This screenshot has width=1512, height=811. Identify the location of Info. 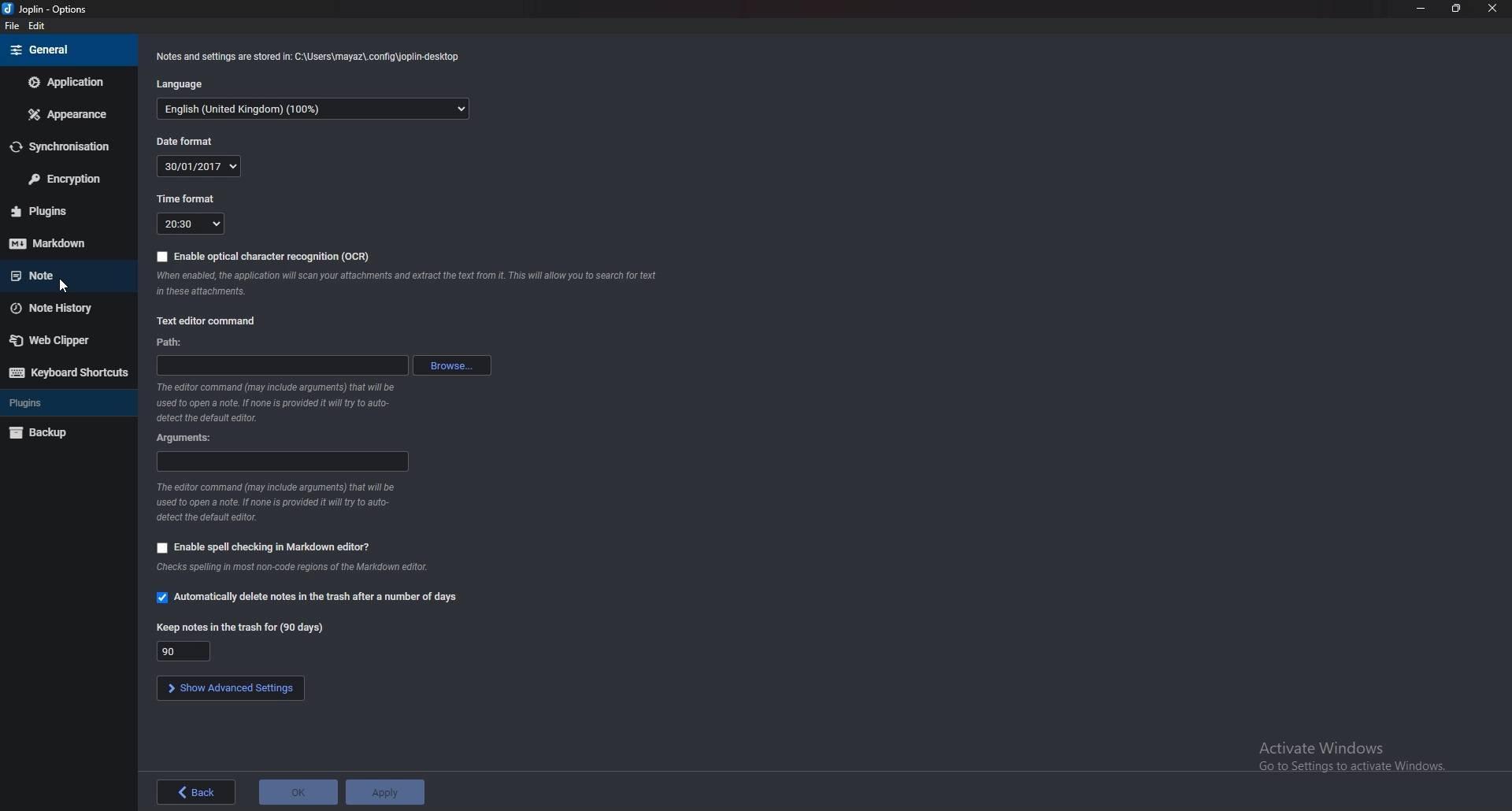
(278, 501).